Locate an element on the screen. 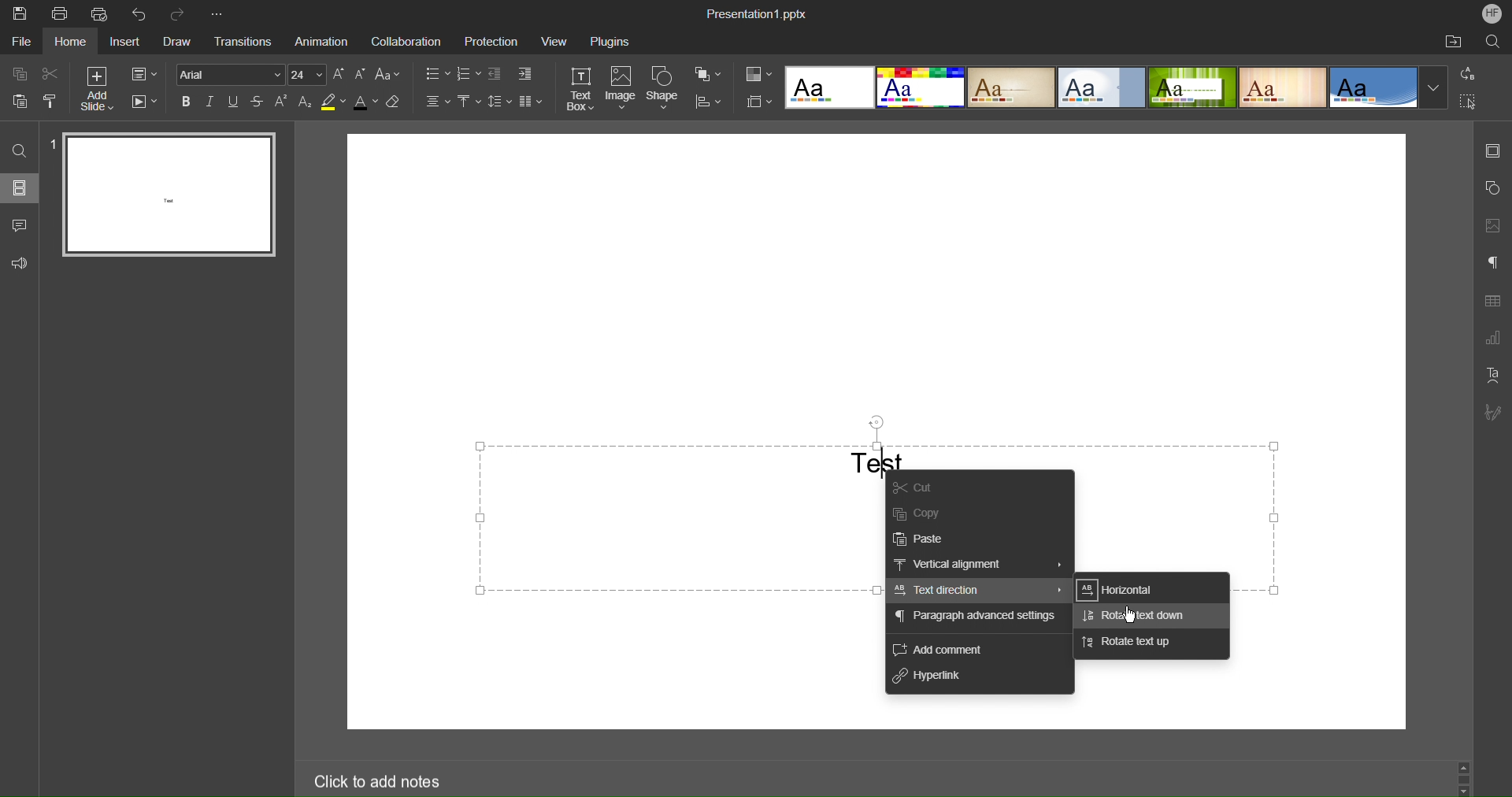  Print is located at coordinates (61, 13).